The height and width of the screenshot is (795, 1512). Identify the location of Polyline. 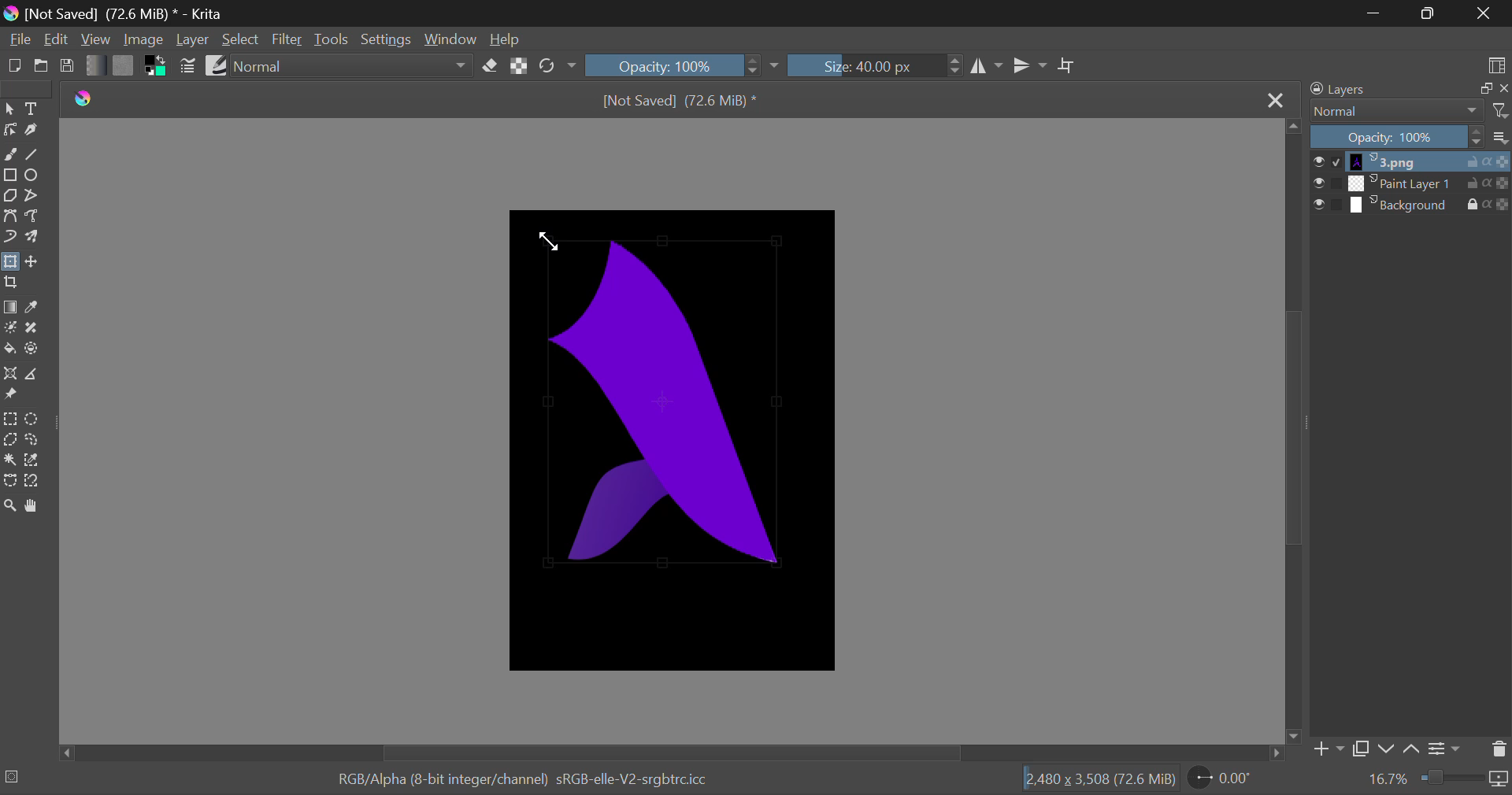
(37, 195).